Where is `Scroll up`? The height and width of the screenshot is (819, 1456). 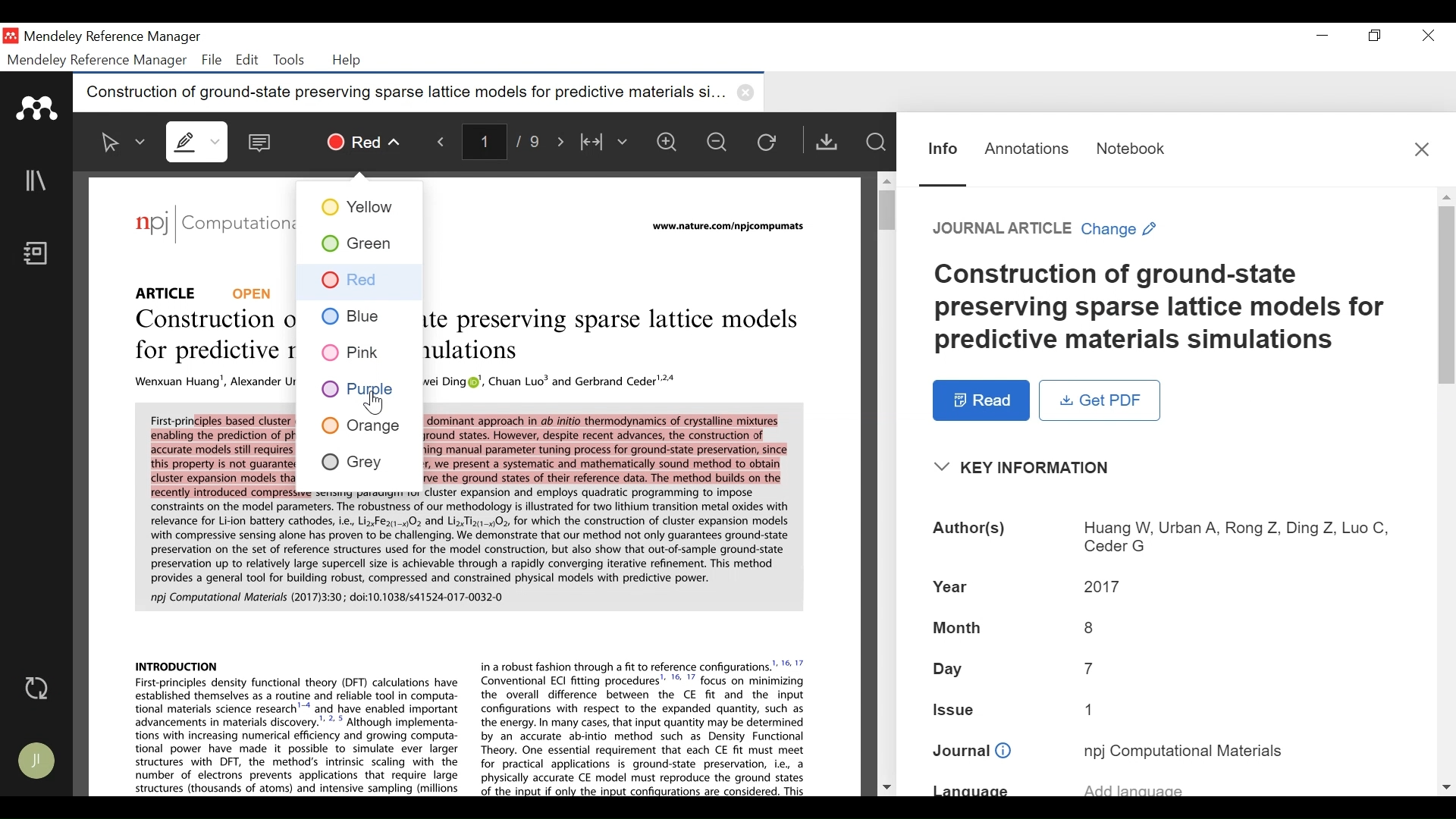 Scroll up is located at coordinates (1445, 196).